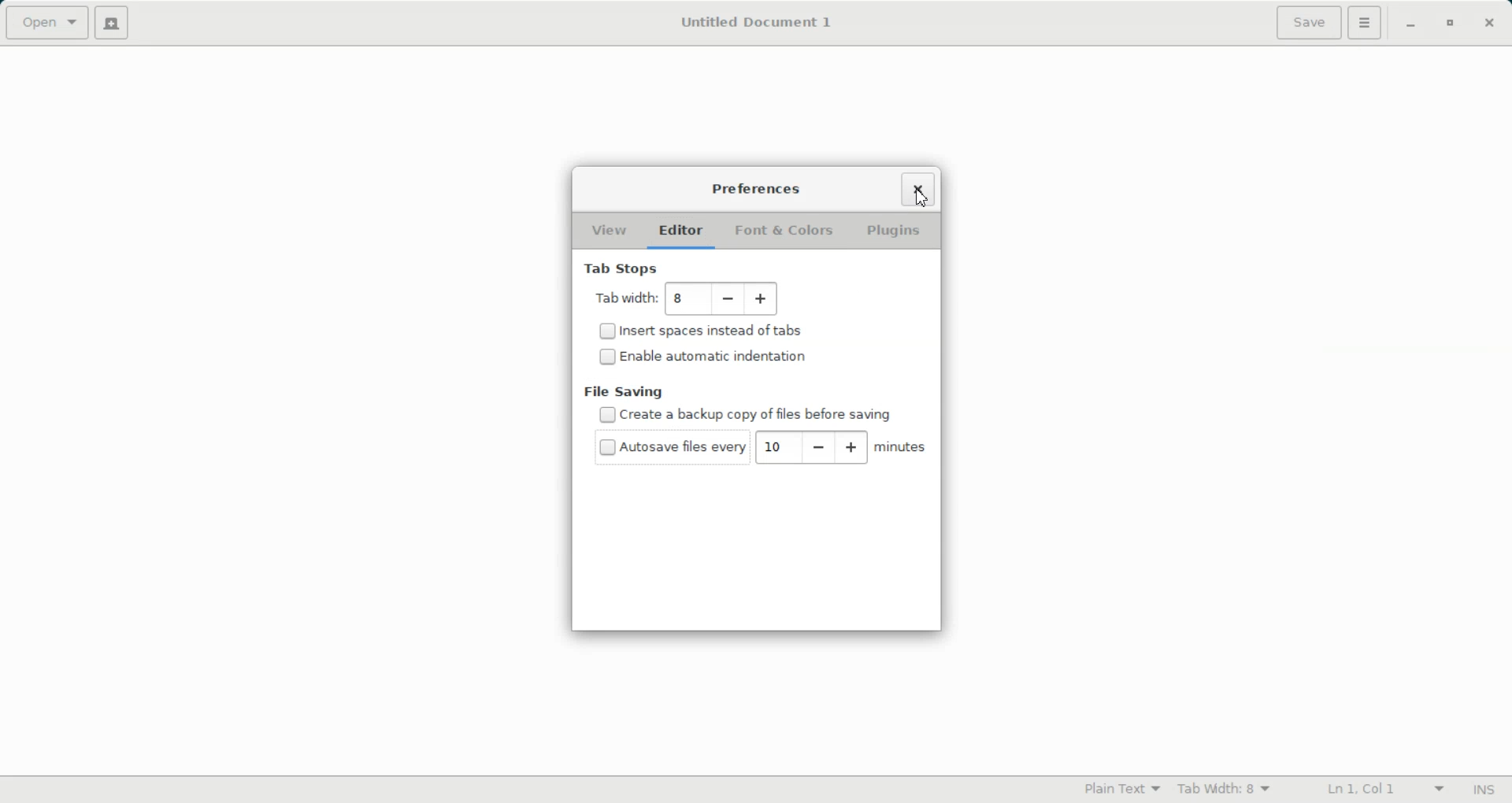 This screenshot has height=803, width=1512. What do you see at coordinates (116, 24) in the screenshot?
I see `Create a new document` at bounding box center [116, 24].